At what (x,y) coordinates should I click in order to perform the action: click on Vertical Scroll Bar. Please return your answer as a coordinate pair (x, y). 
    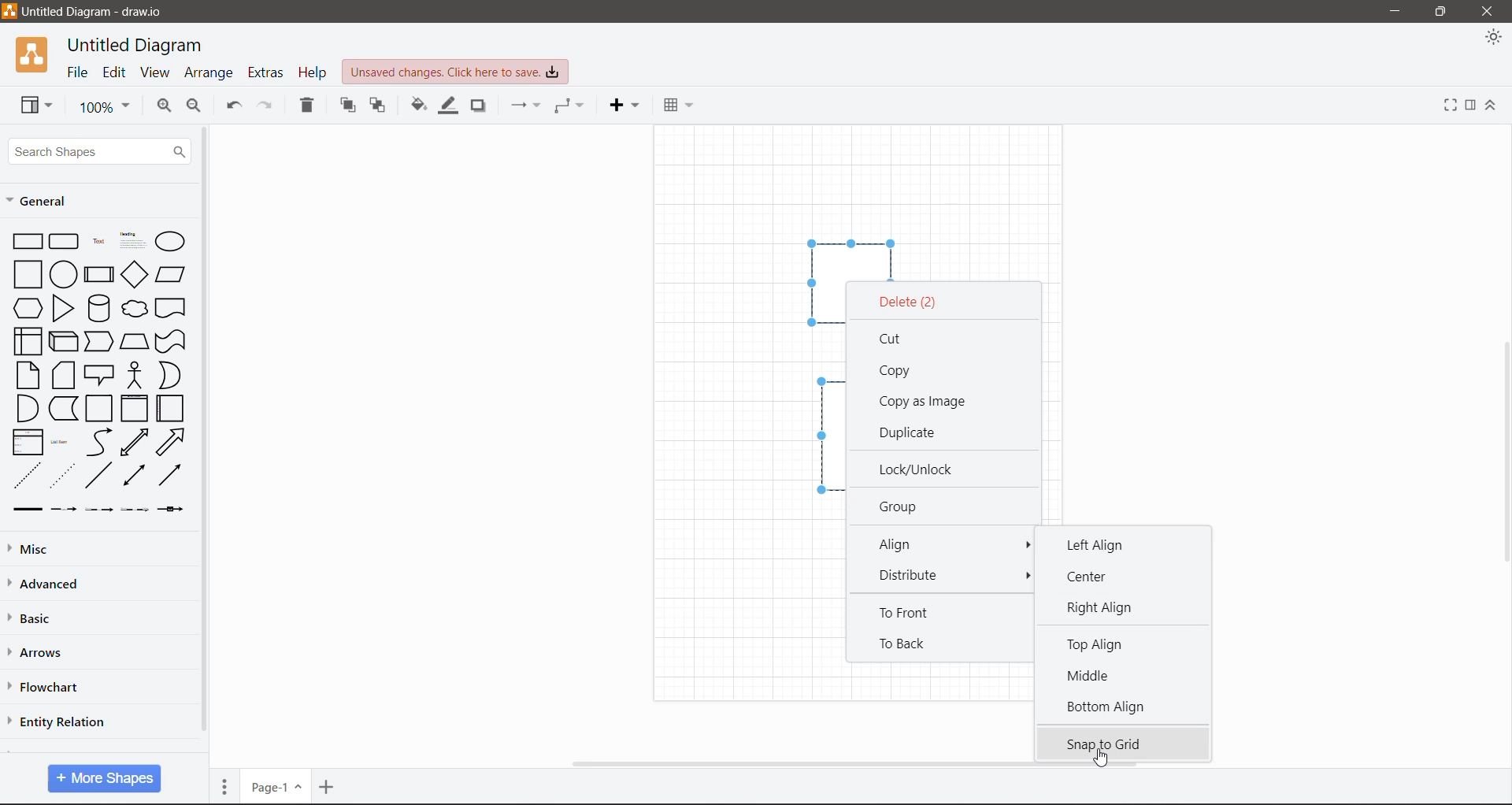
    Looking at the image, I should click on (205, 436).